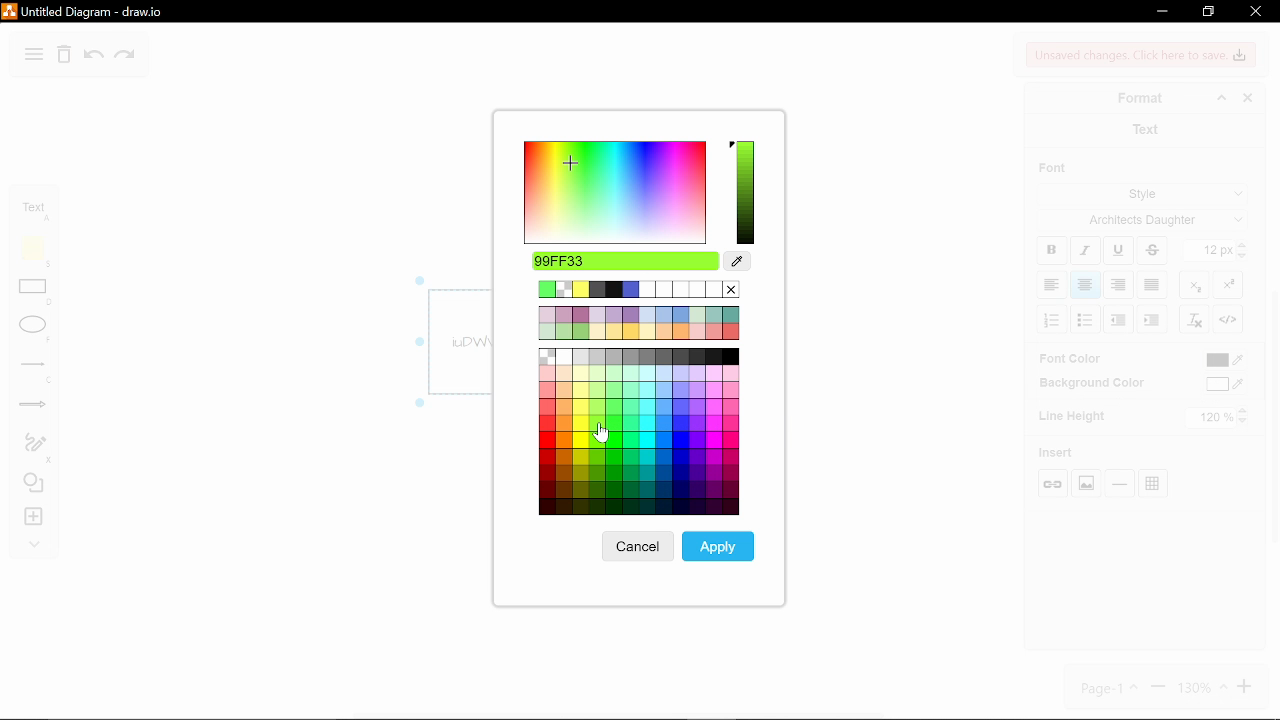  Describe the element at coordinates (1107, 689) in the screenshot. I see `page1` at that location.